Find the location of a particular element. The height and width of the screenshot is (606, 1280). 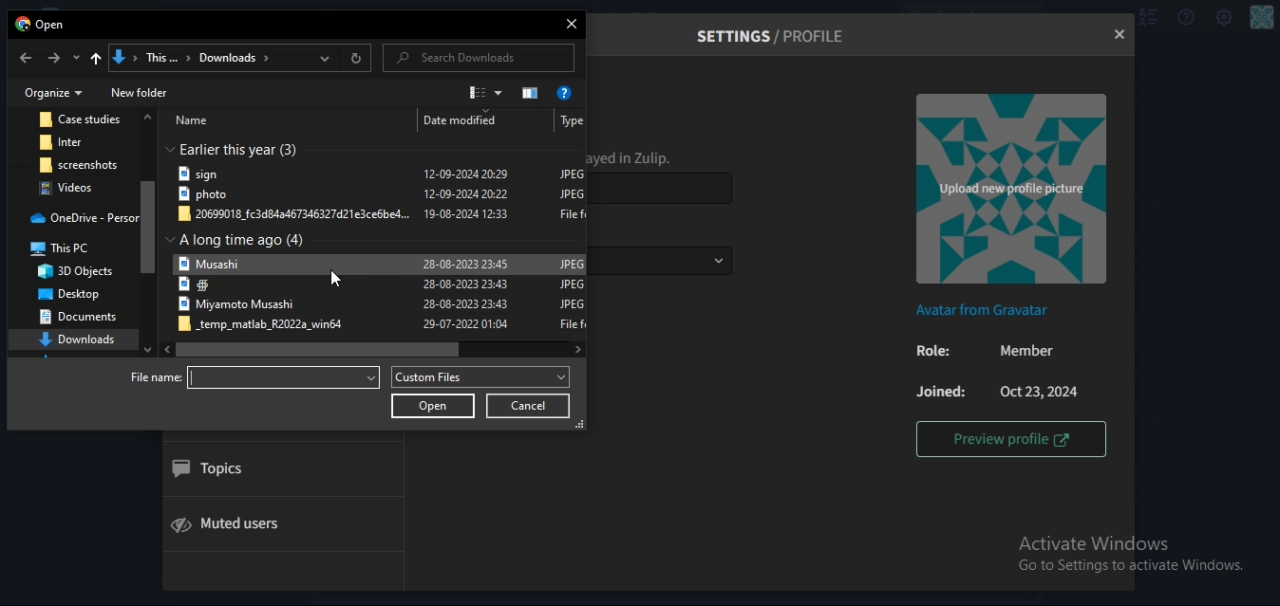

Joined : Oct 23, 2024 is located at coordinates (995, 391).